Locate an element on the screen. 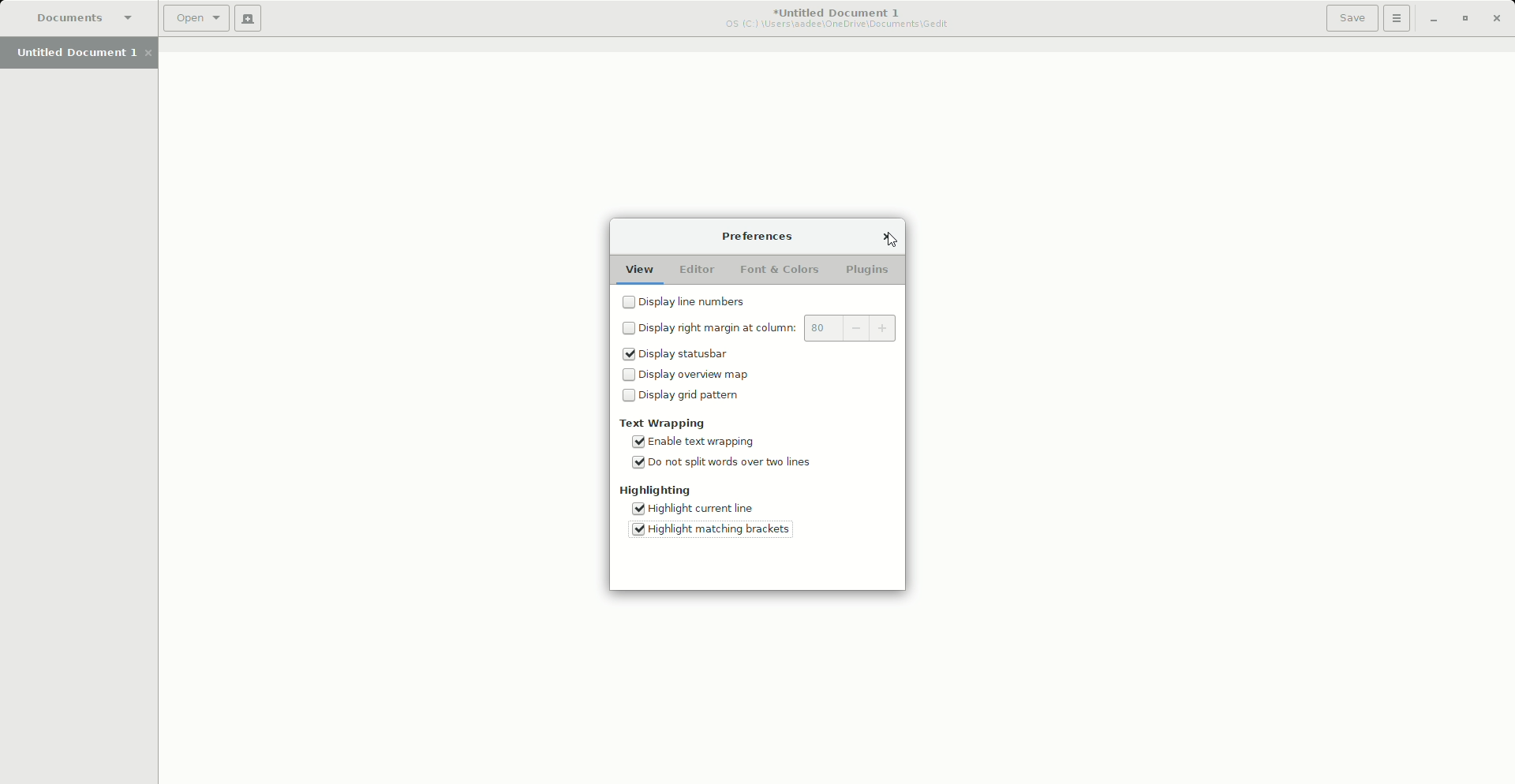 The height and width of the screenshot is (784, 1515). Text wrapping is located at coordinates (664, 424).